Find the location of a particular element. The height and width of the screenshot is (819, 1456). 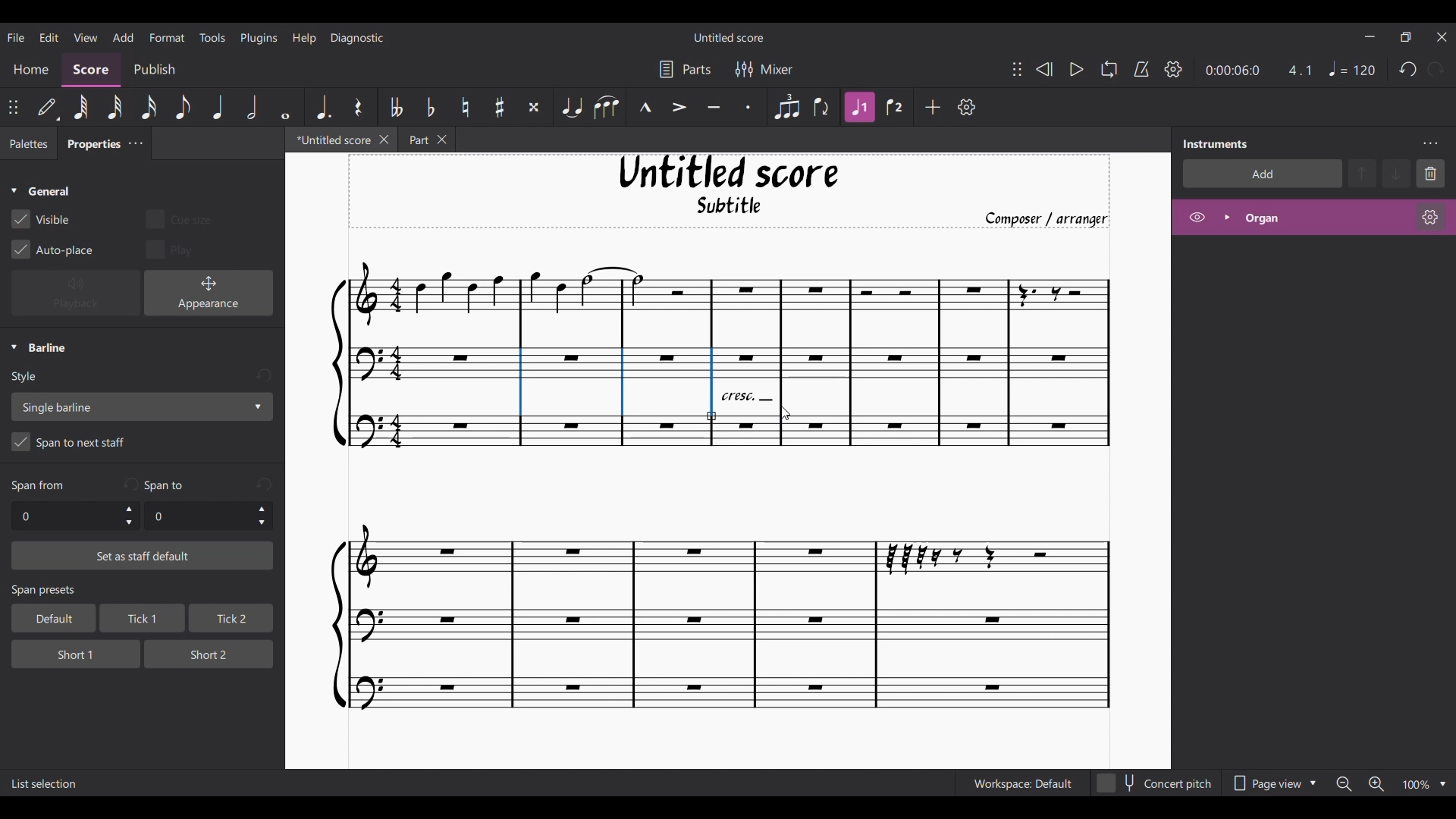

Description of current selection is located at coordinates (45, 784).